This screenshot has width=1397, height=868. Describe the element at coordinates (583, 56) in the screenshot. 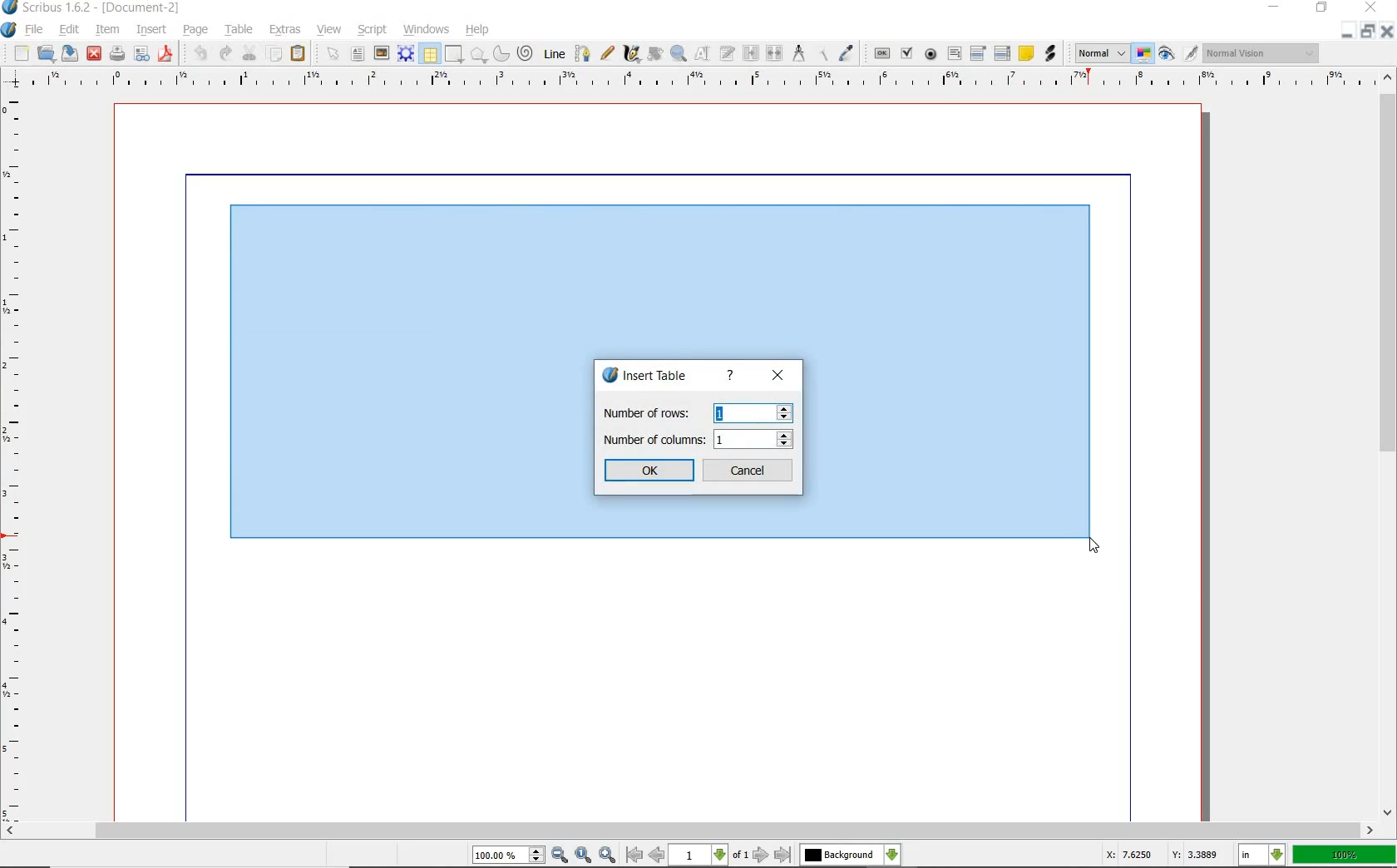

I see `bezier curve` at that location.